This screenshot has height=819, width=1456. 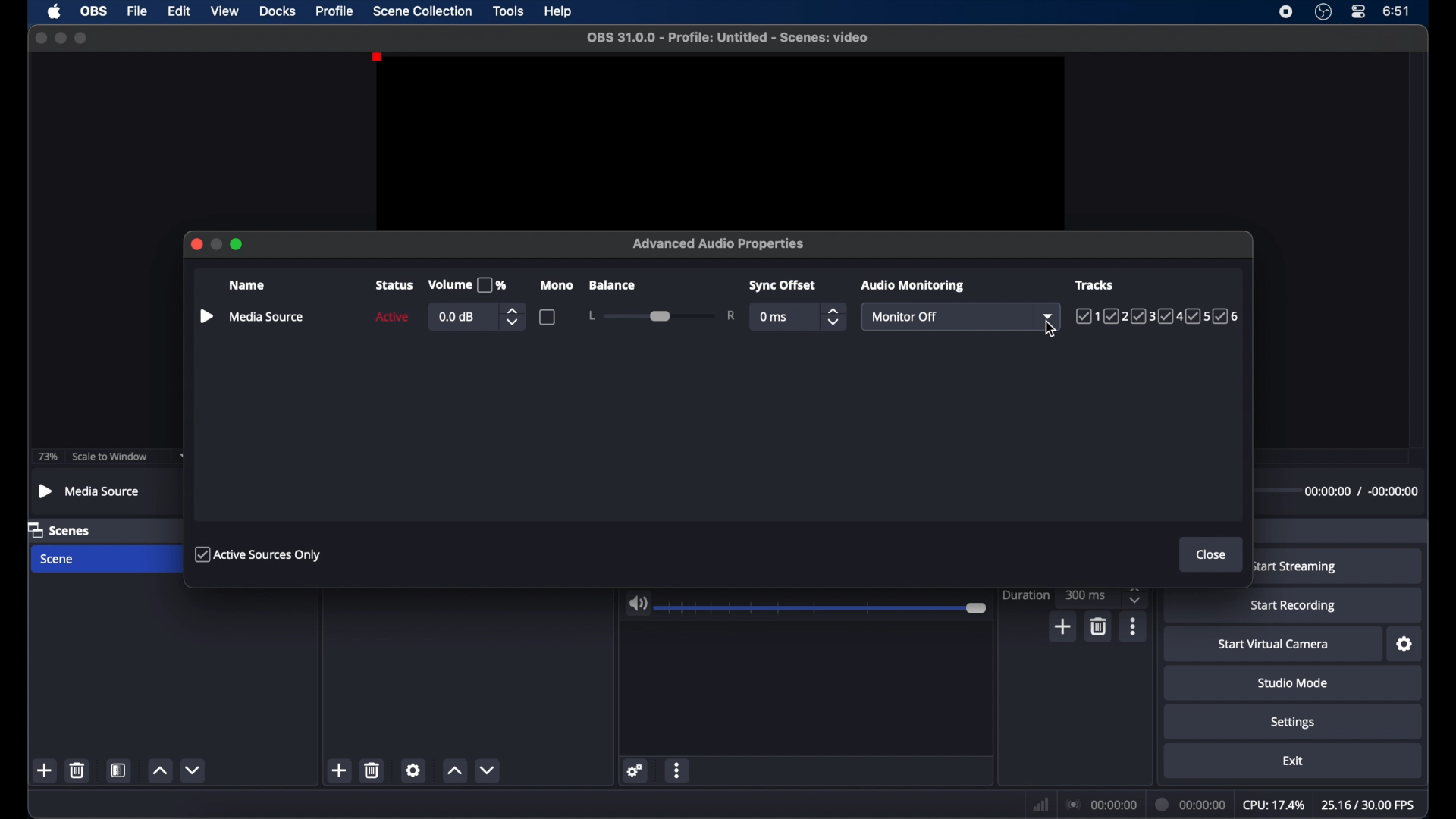 I want to click on more options, so click(x=1134, y=626).